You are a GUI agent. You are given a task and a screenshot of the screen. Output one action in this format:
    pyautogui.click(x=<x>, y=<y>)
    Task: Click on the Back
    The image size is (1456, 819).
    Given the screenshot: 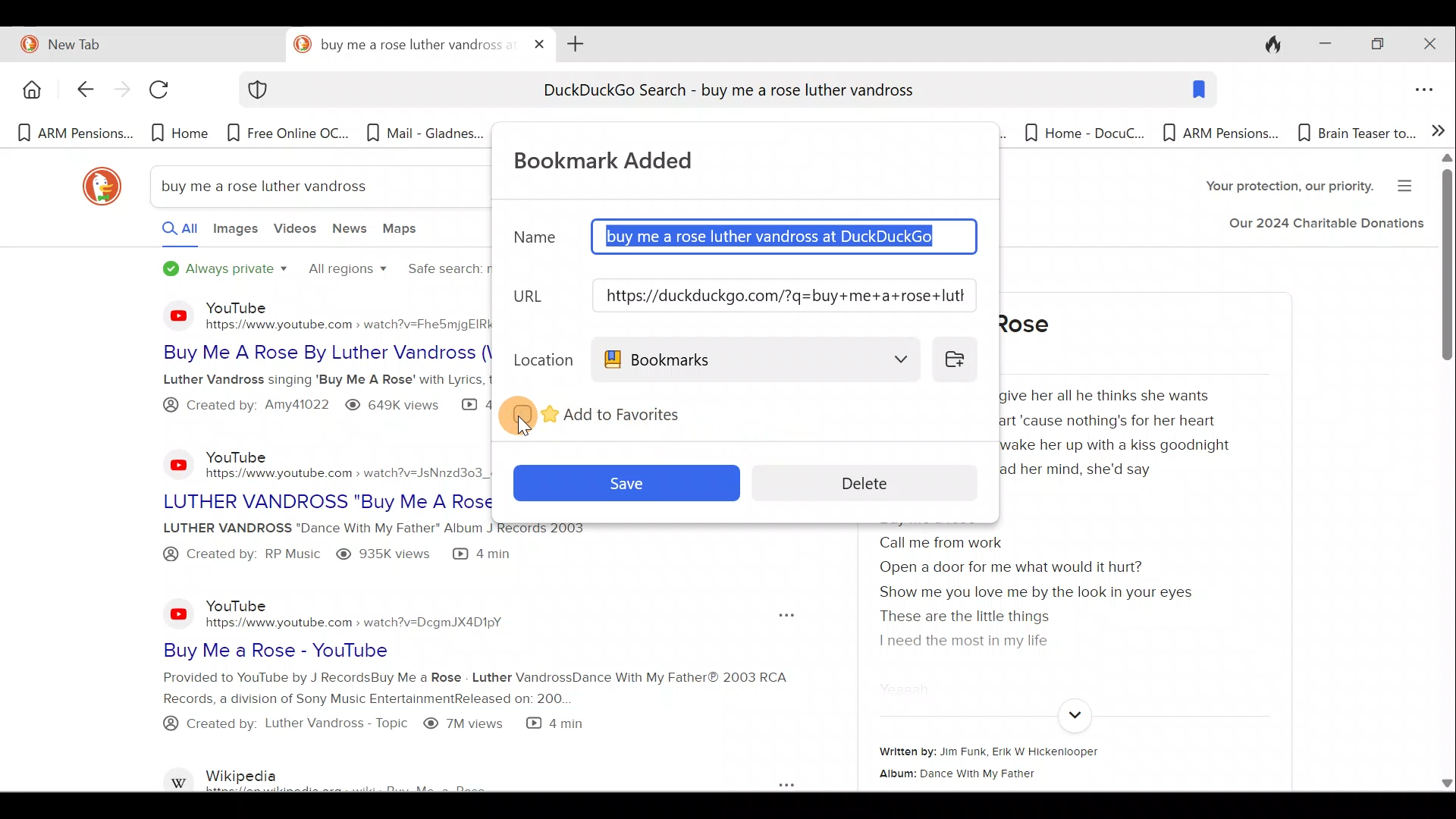 What is the action you would take?
    pyautogui.click(x=77, y=91)
    